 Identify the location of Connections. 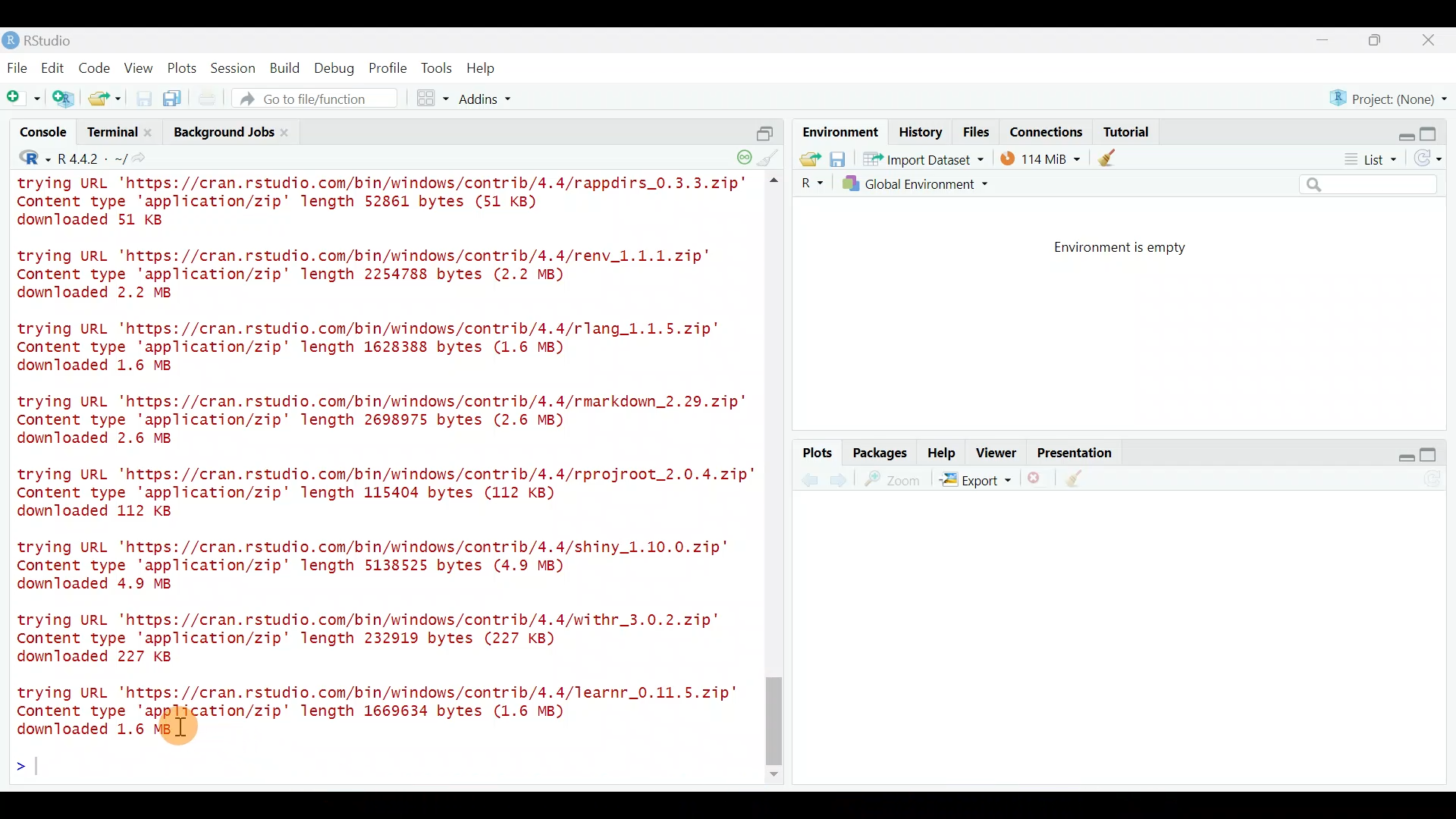
(1047, 130).